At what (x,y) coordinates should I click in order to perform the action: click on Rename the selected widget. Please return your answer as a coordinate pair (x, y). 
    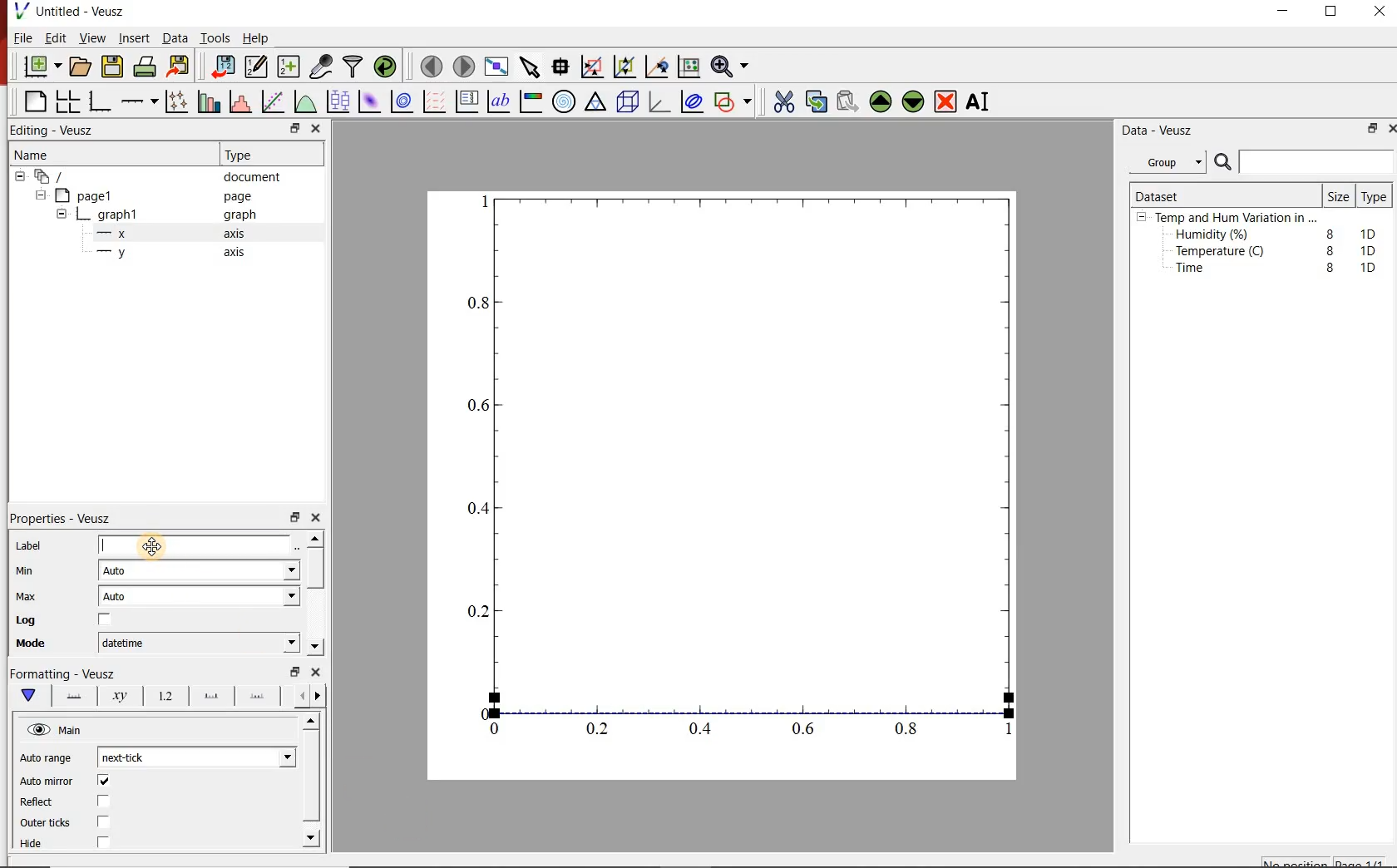
    Looking at the image, I should click on (981, 101).